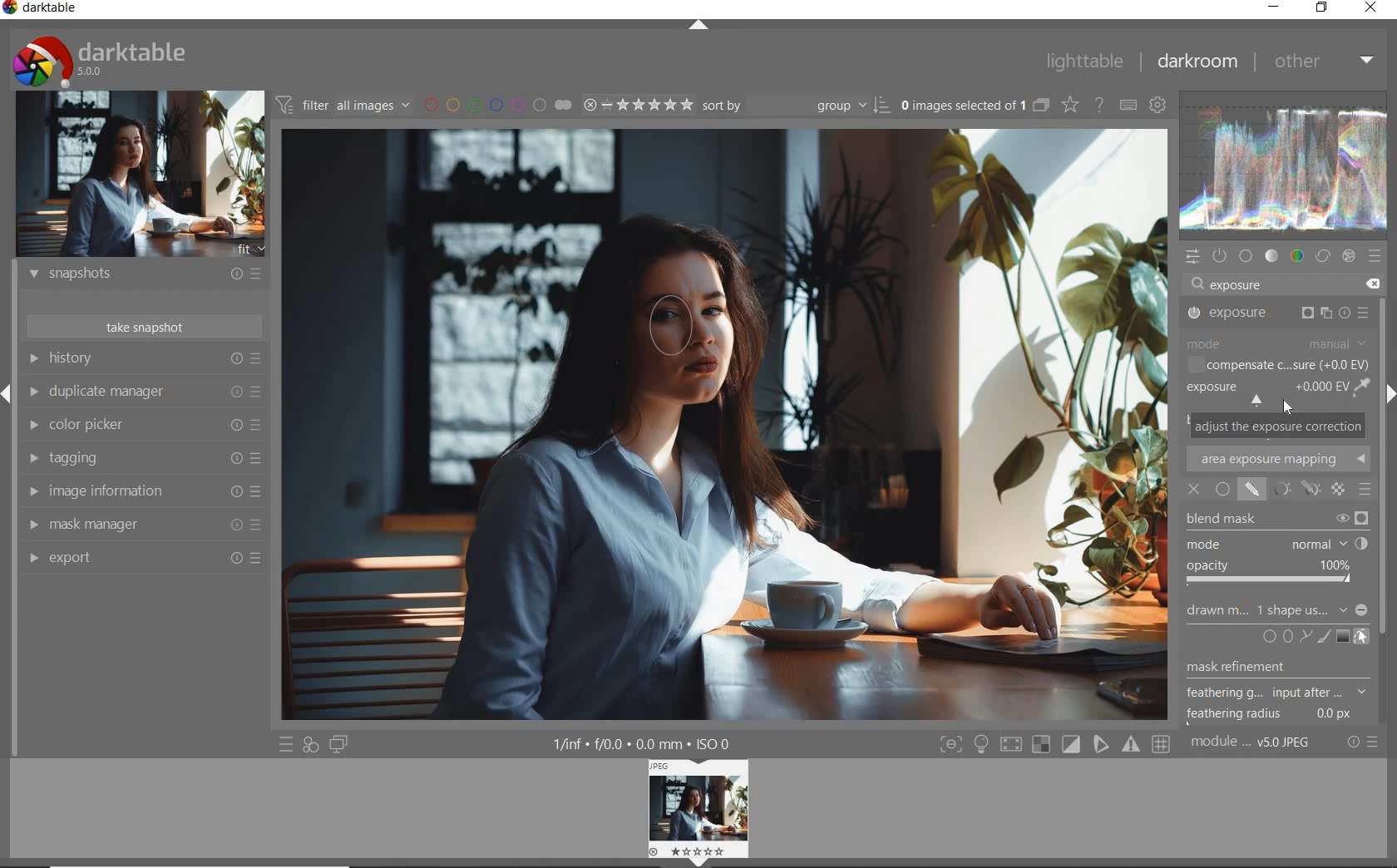 This screenshot has width=1397, height=868. Describe the element at coordinates (1127, 105) in the screenshot. I see `set keyboard shortcuts` at that location.